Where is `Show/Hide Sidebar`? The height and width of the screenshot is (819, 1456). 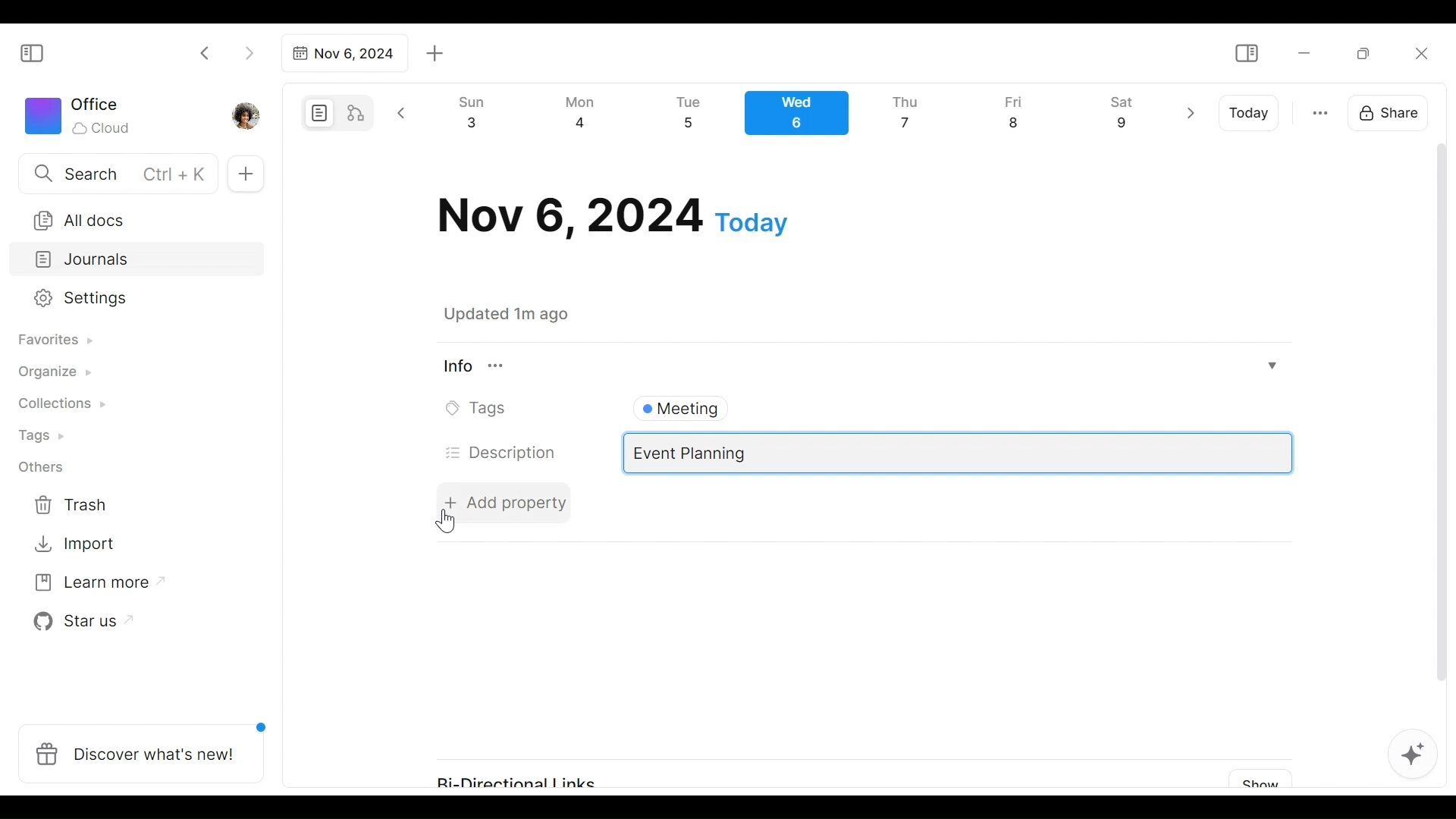
Show/Hide Sidebar is located at coordinates (1246, 54).